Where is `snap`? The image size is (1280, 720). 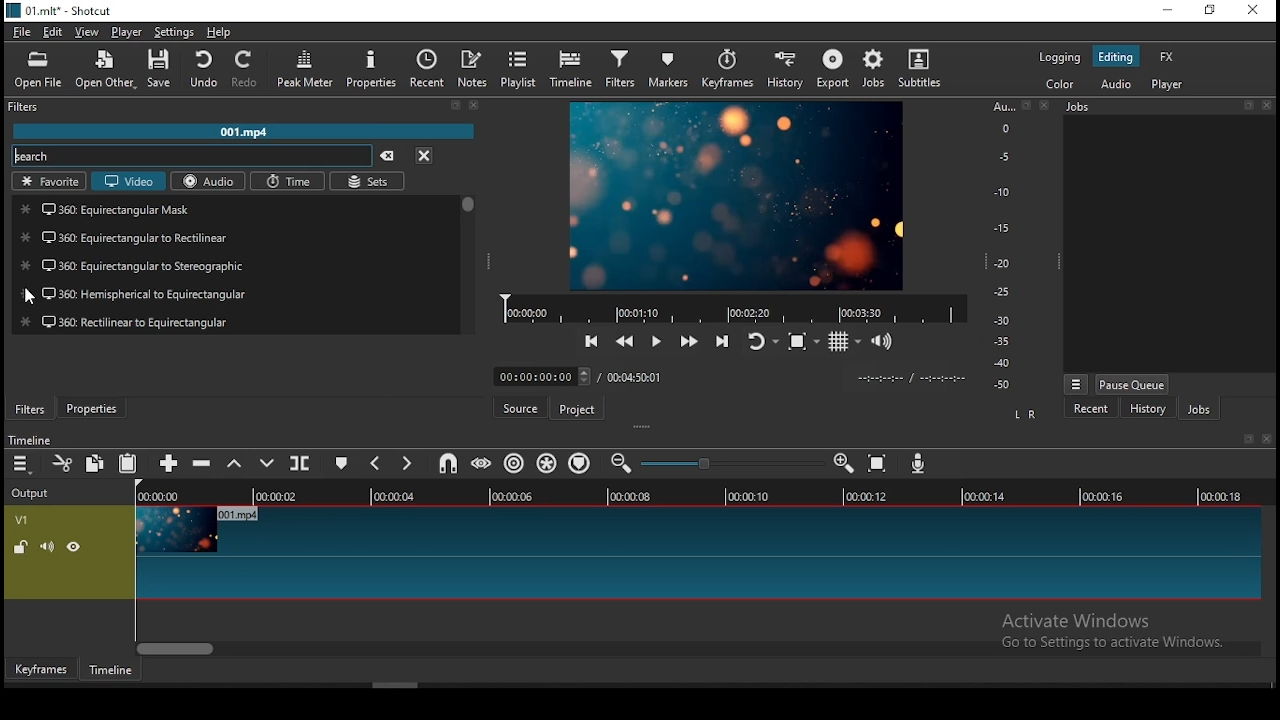 snap is located at coordinates (449, 463).